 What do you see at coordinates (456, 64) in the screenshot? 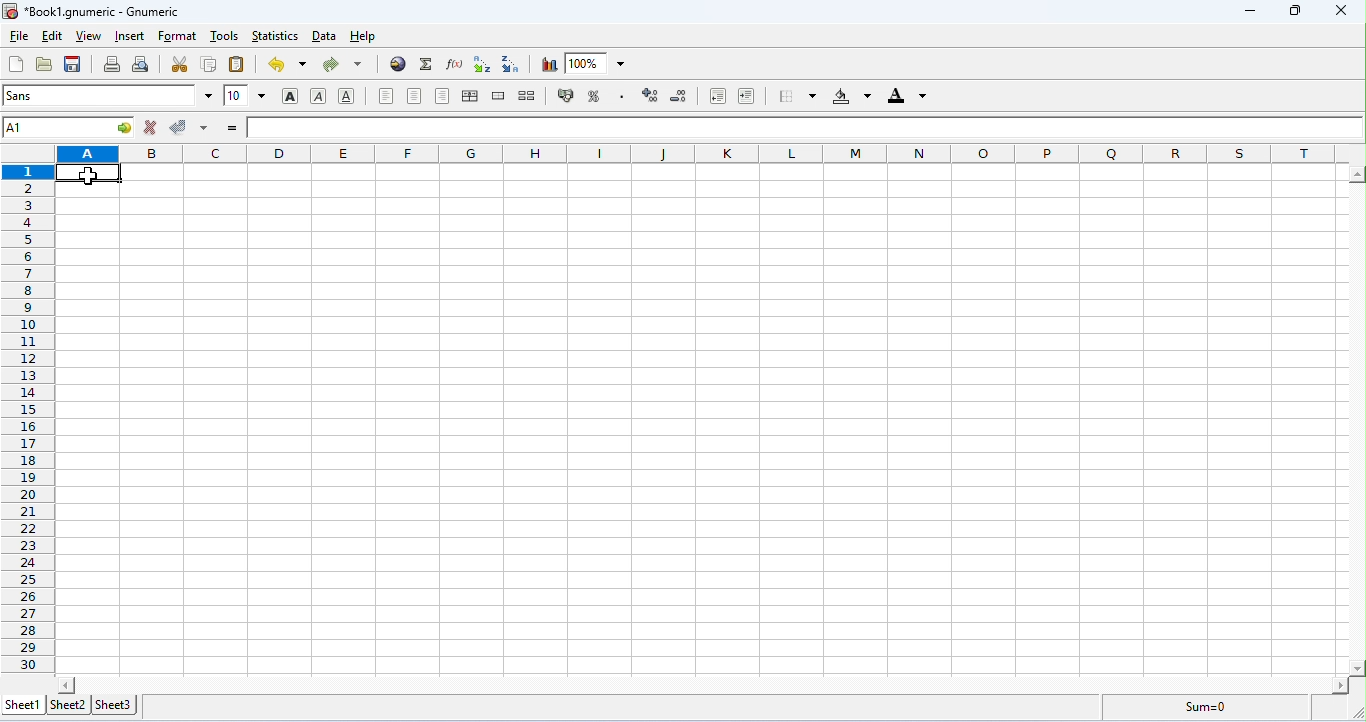
I see `function wizard` at bounding box center [456, 64].